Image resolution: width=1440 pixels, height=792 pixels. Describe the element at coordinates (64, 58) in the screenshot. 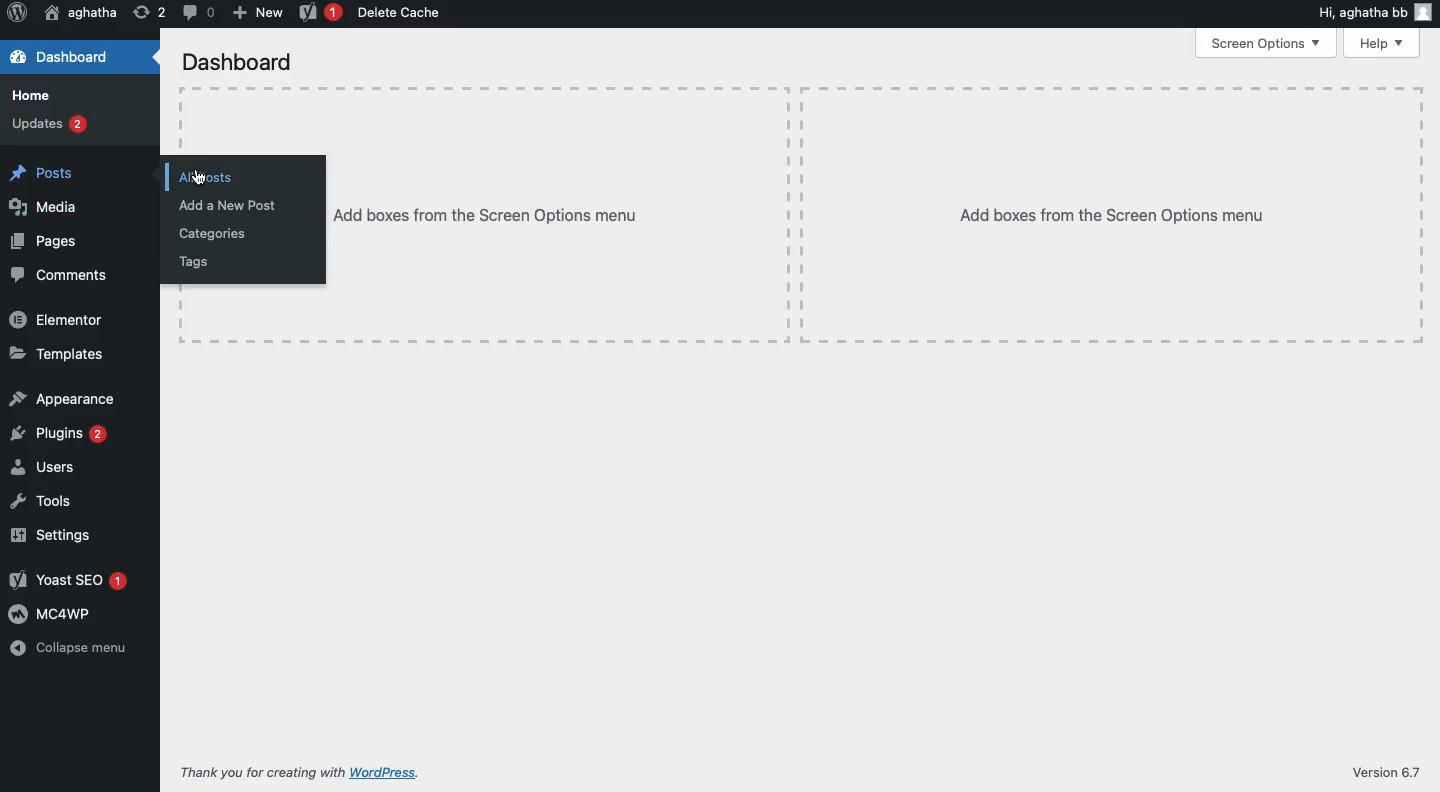

I see `Dashboard` at that location.